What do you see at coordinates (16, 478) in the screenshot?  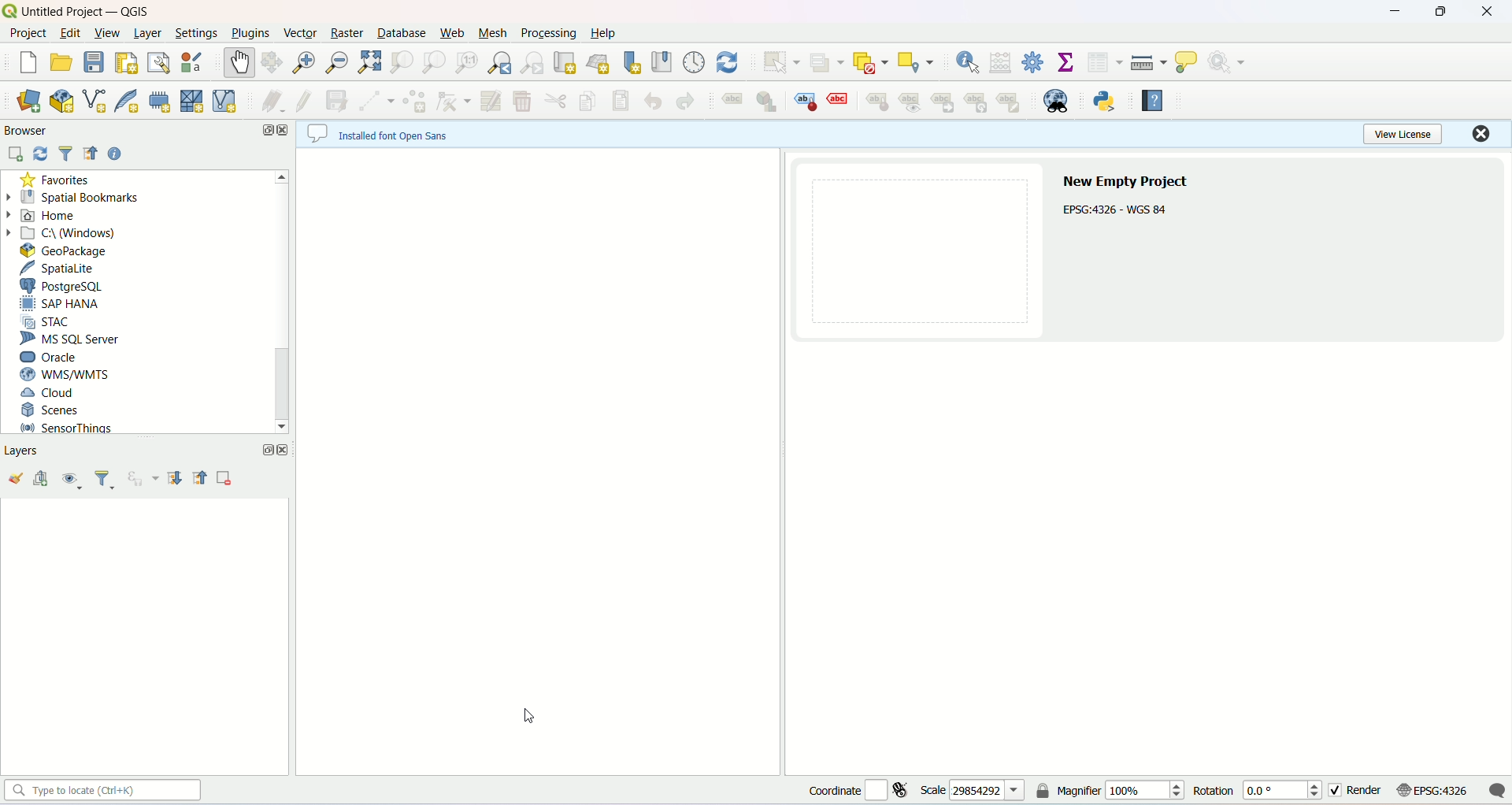 I see `open the layer` at bounding box center [16, 478].